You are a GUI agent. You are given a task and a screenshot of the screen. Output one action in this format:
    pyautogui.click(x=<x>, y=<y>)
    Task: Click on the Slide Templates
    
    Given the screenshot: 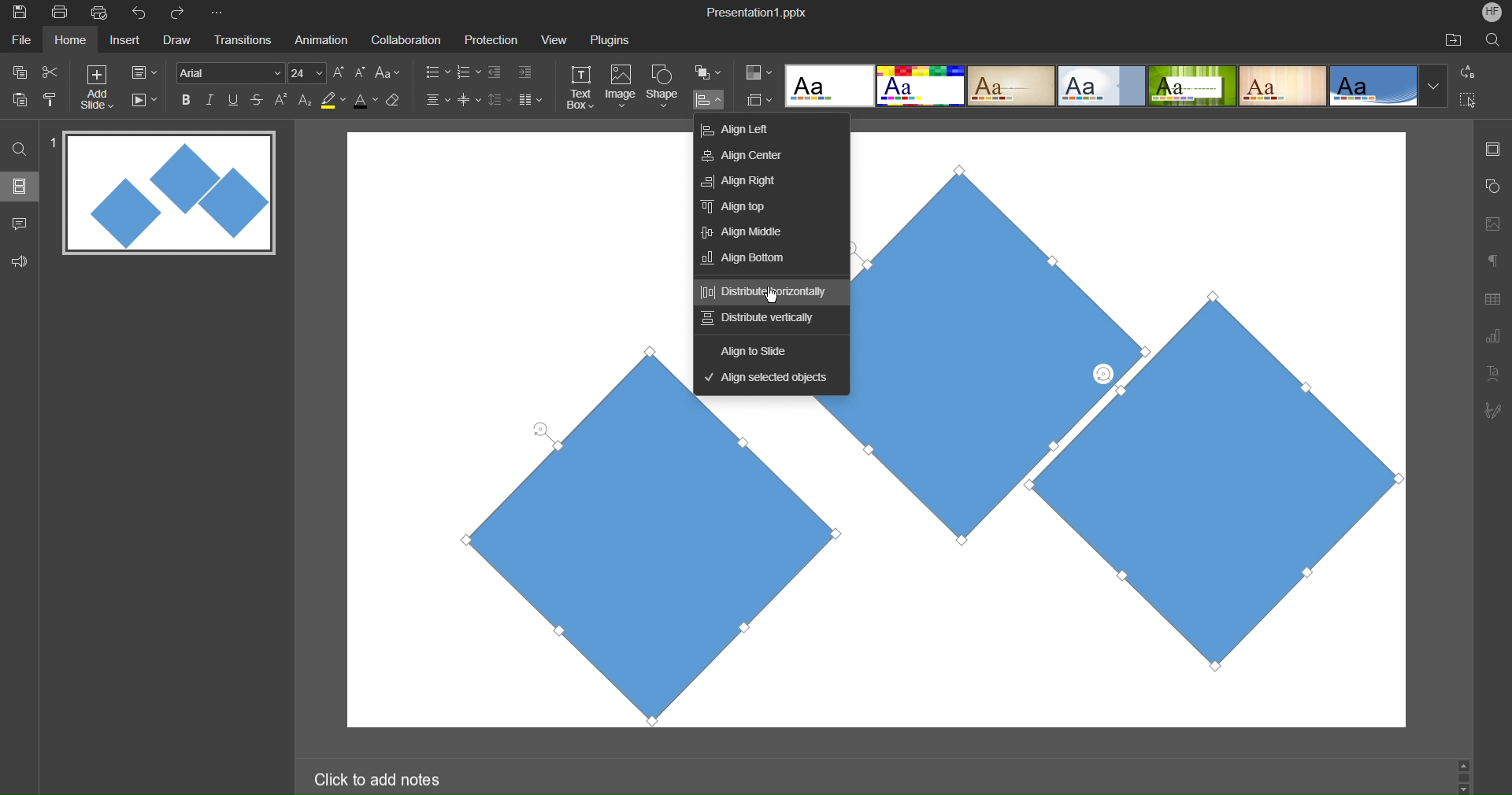 What is the action you would take?
    pyautogui.click(x=1117, y=84)
    